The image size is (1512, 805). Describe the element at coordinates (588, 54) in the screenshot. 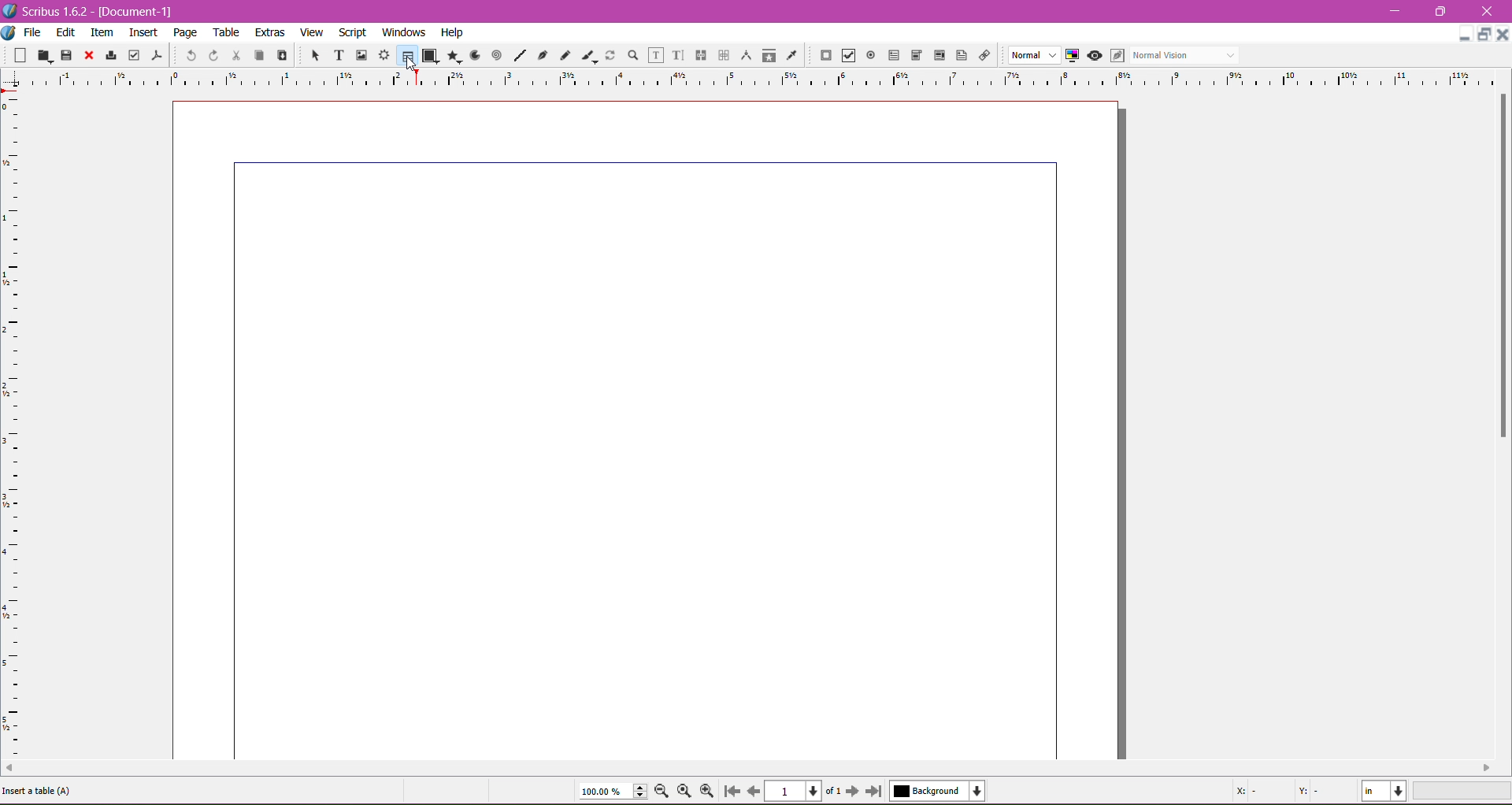

I see `Calligraphic Line` at that location.